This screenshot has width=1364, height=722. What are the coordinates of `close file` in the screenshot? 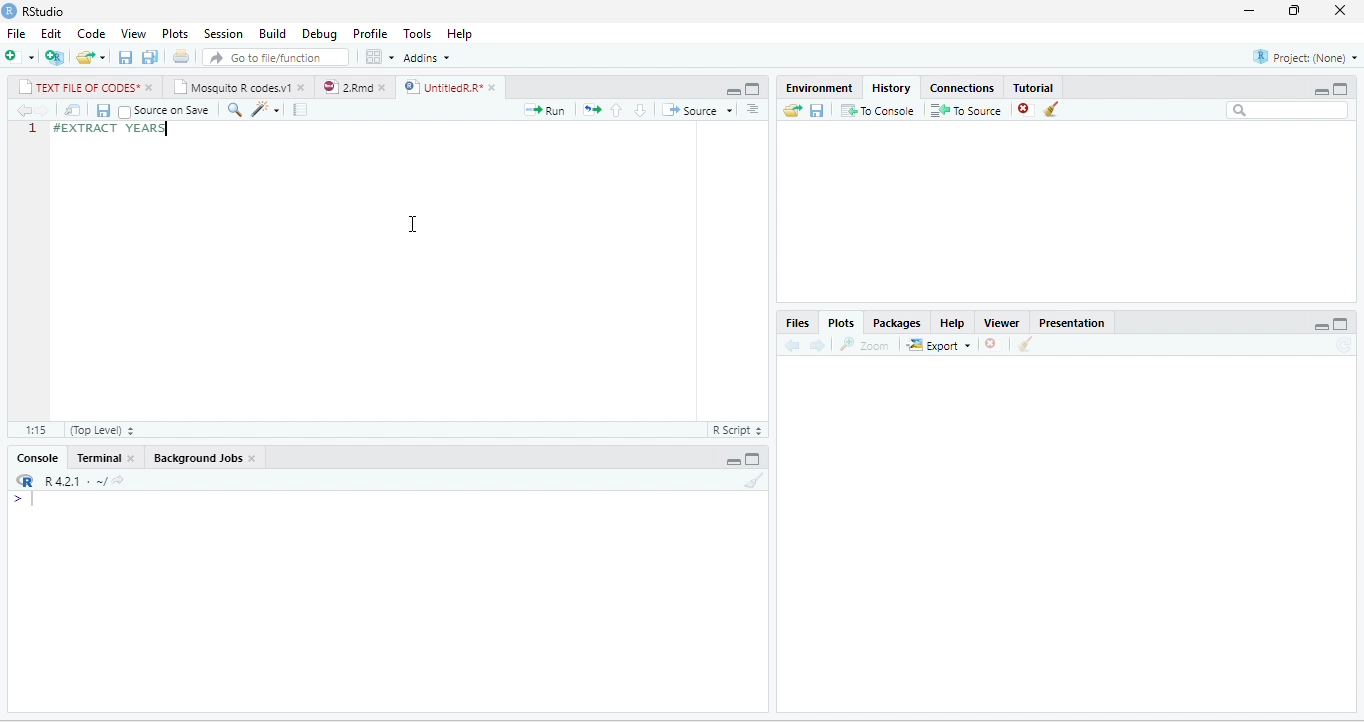 It's located at (996, 344).